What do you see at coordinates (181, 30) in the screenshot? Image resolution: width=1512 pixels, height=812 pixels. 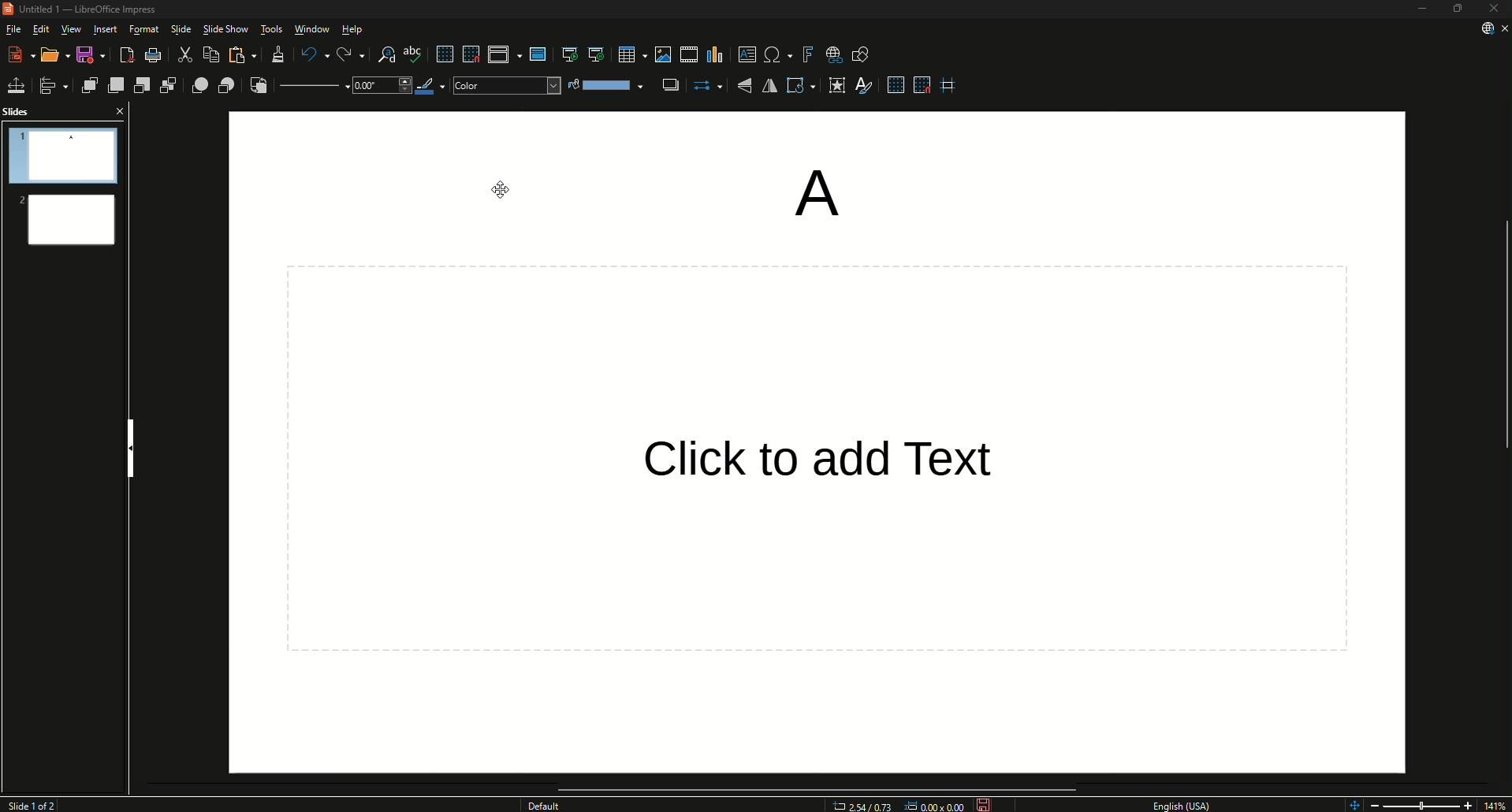 I see `Slide` at bounding box center [181, 30].